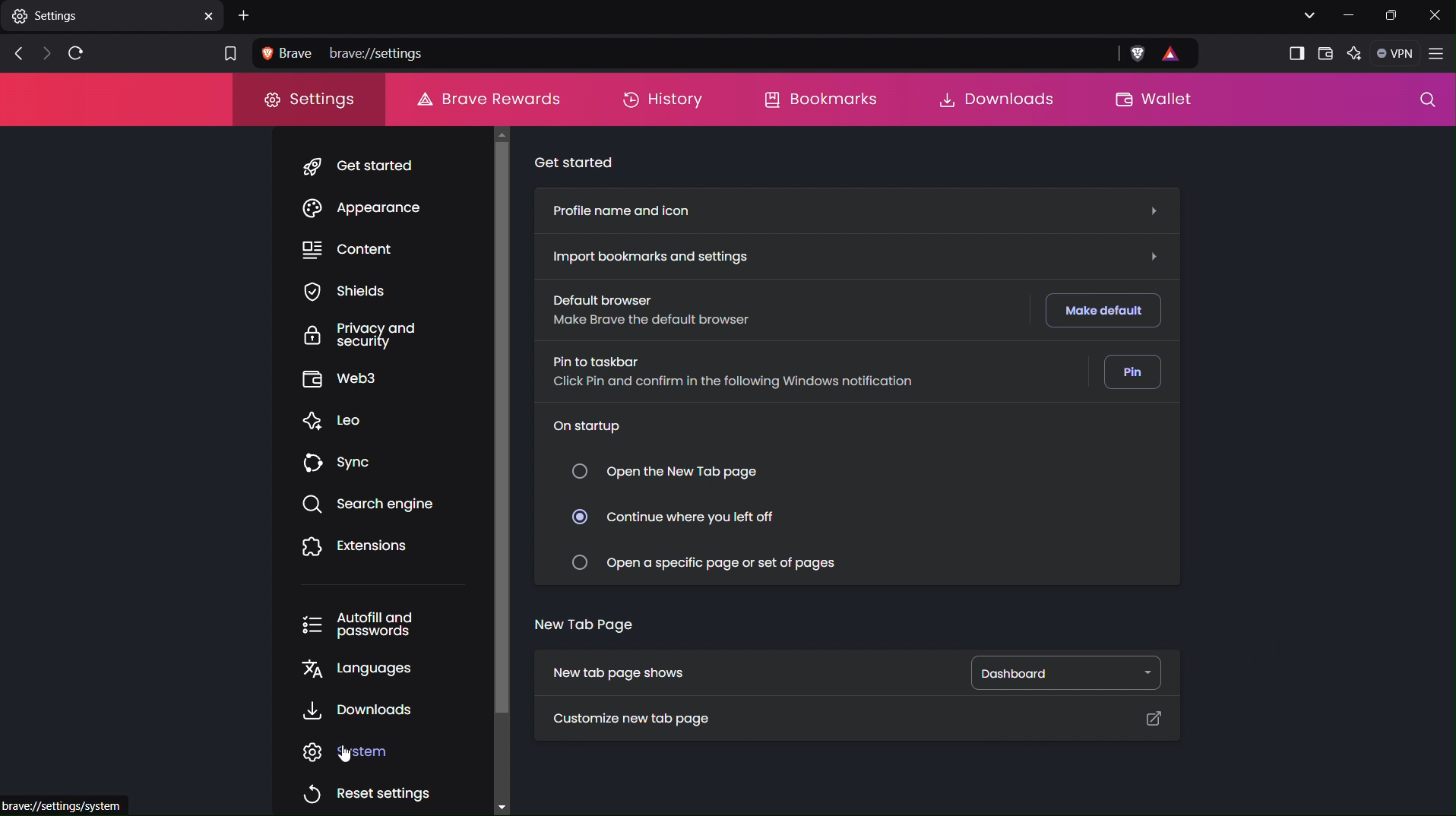  What do you see at coordinates (628, 722) in the screenshot?
I see `Customize new tab page` at bounding box center [628, 722].